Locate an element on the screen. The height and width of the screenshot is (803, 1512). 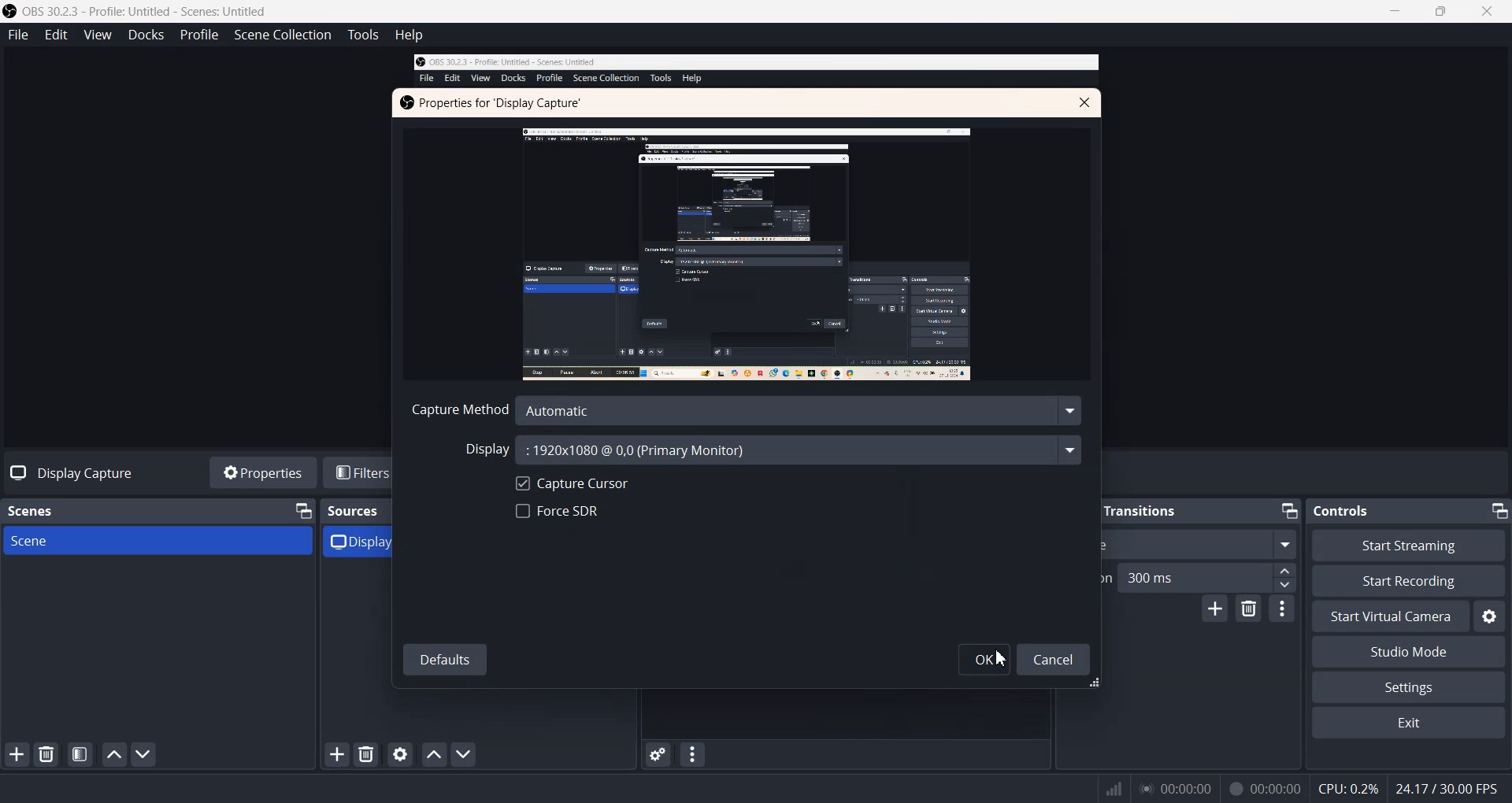
Advance Audio Properties is located at coordinates (657, 754).